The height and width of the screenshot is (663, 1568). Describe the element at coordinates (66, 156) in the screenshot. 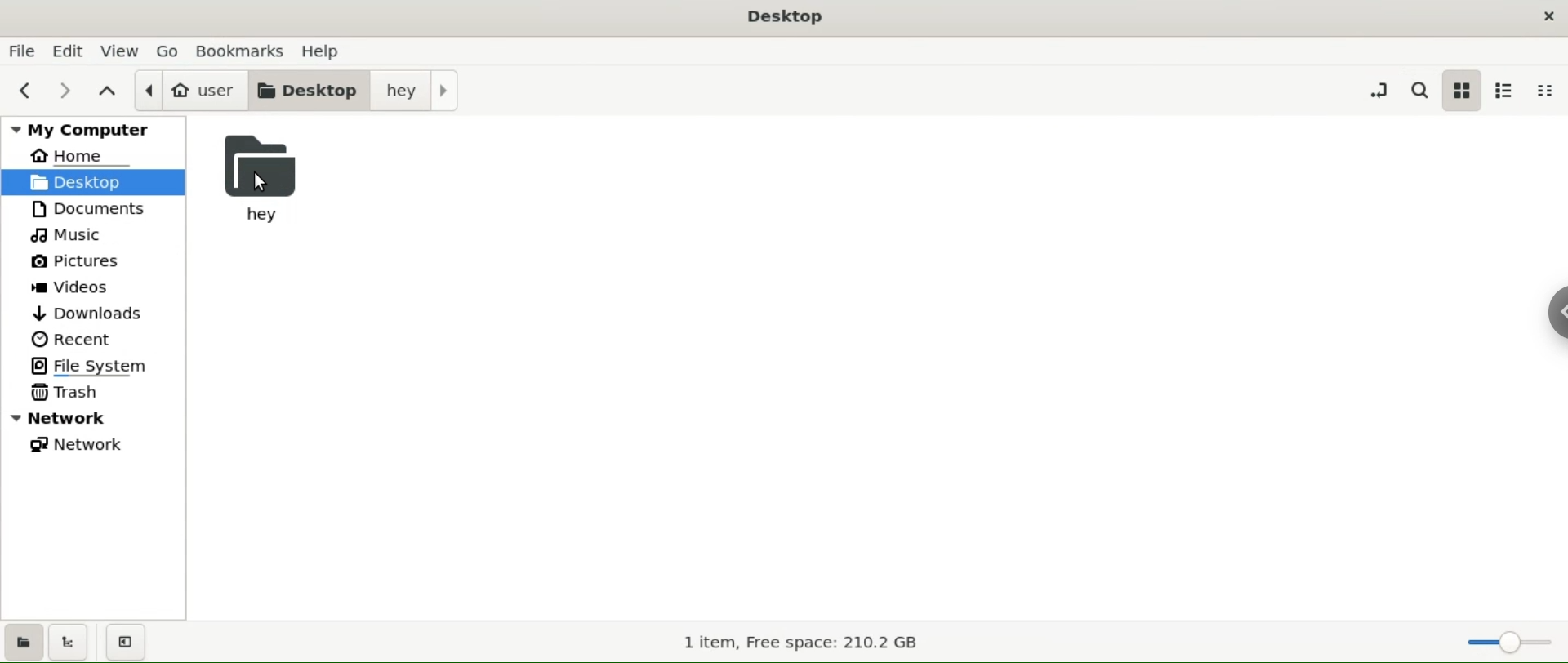

I see `home` at that location.